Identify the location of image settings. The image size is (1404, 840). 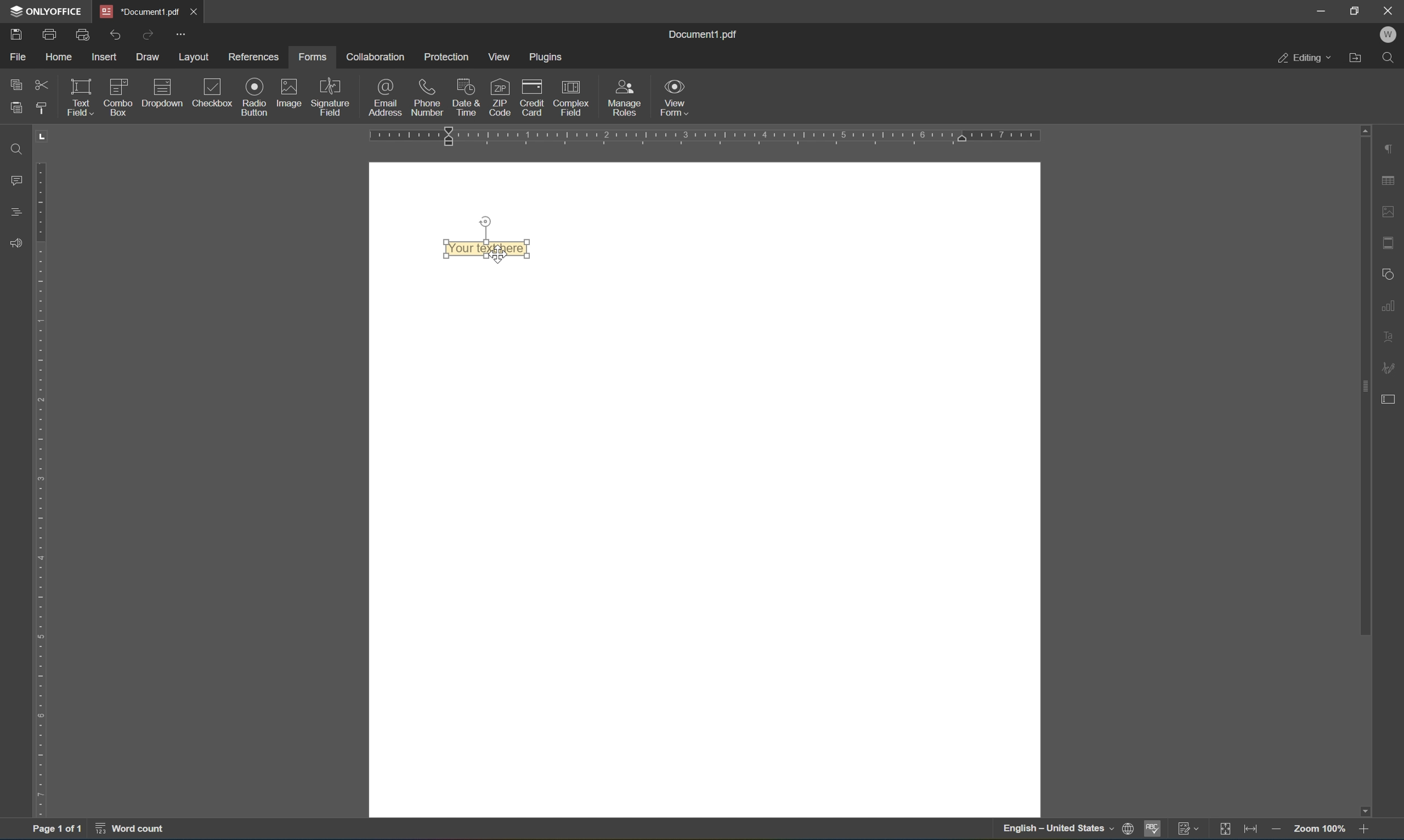
(1388, 209).